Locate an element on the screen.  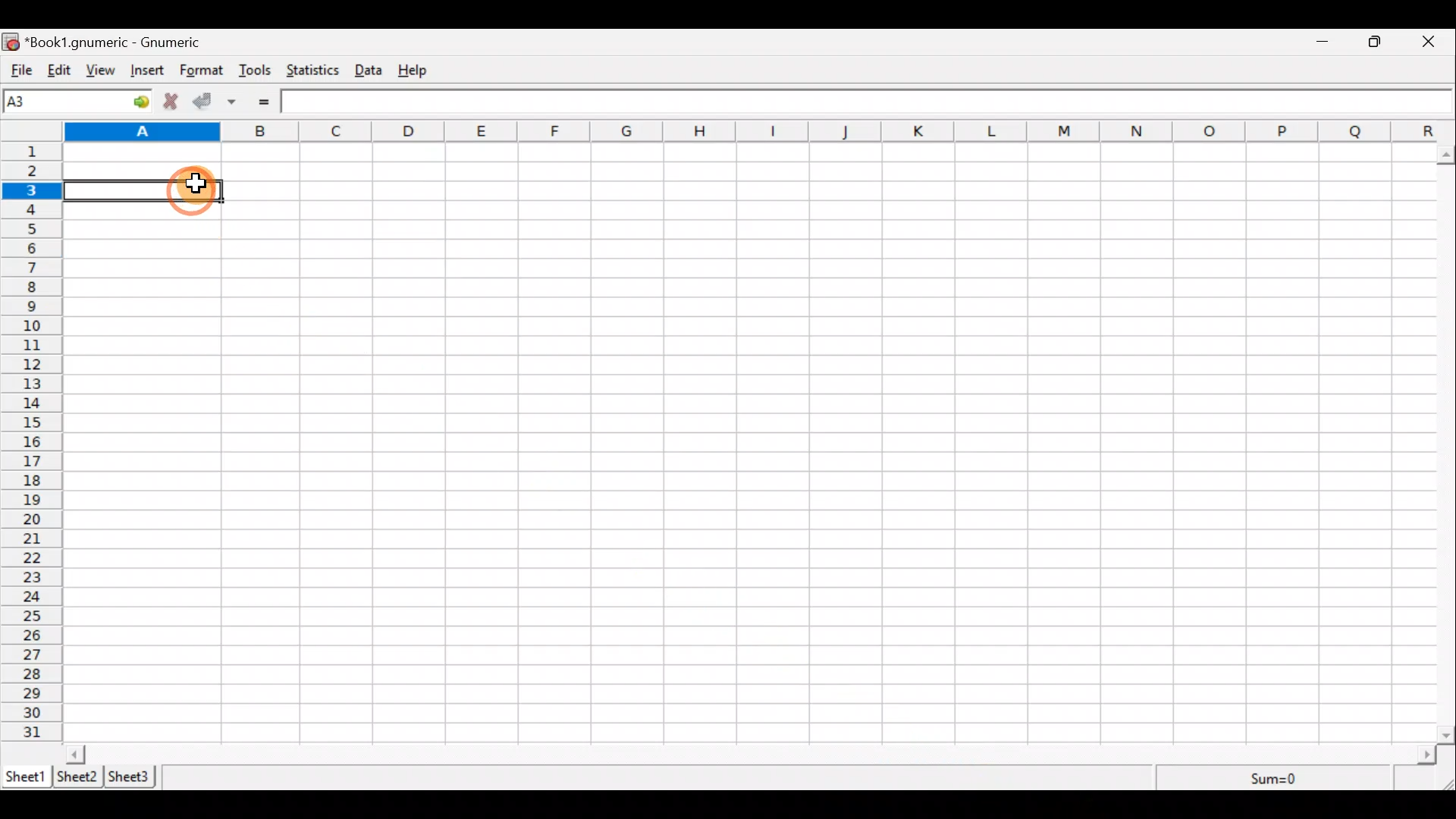
Cancel change is located at coordinates (174, 103).